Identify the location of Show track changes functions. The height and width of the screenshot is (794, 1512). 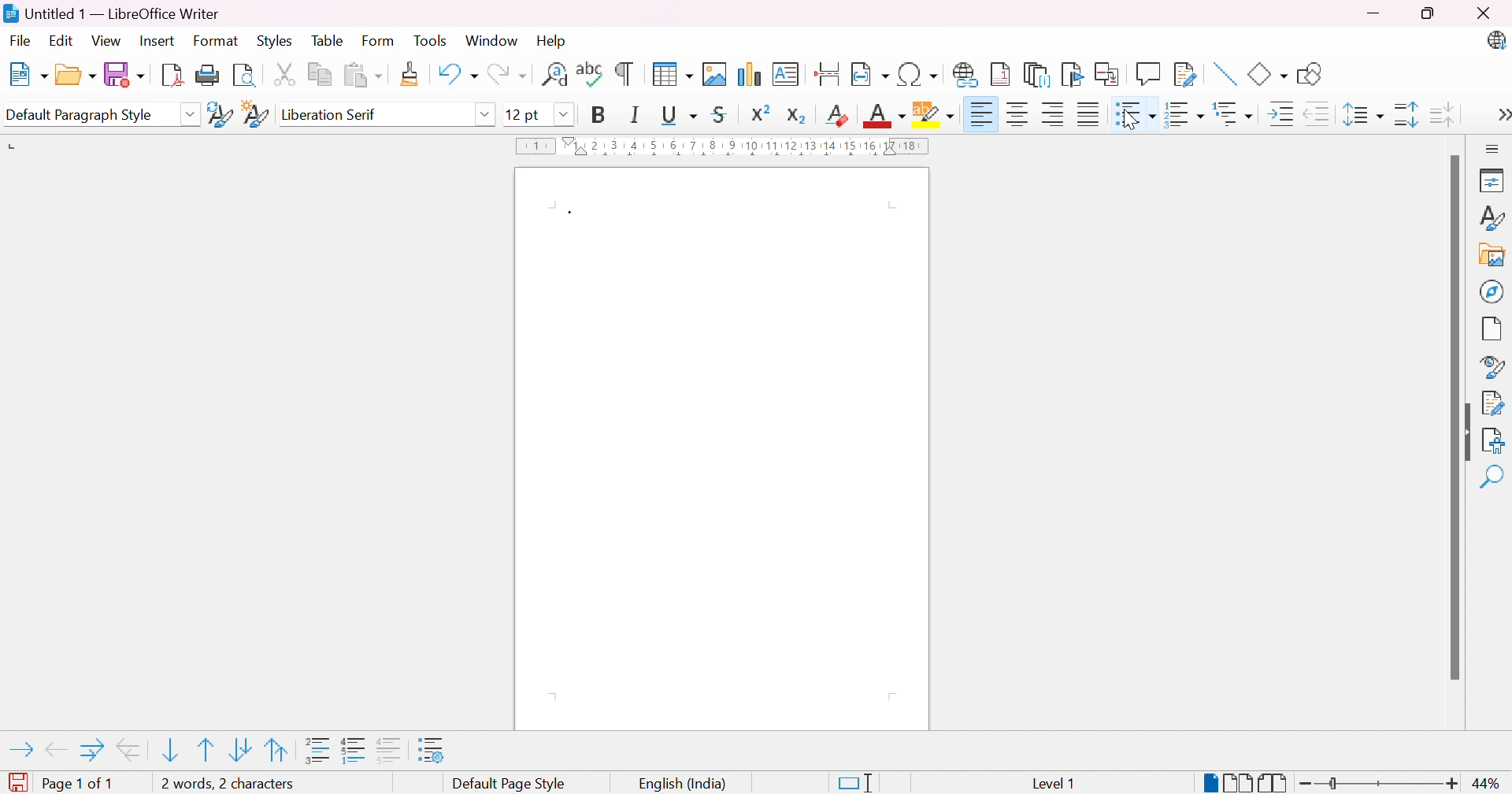
(1185, 74).